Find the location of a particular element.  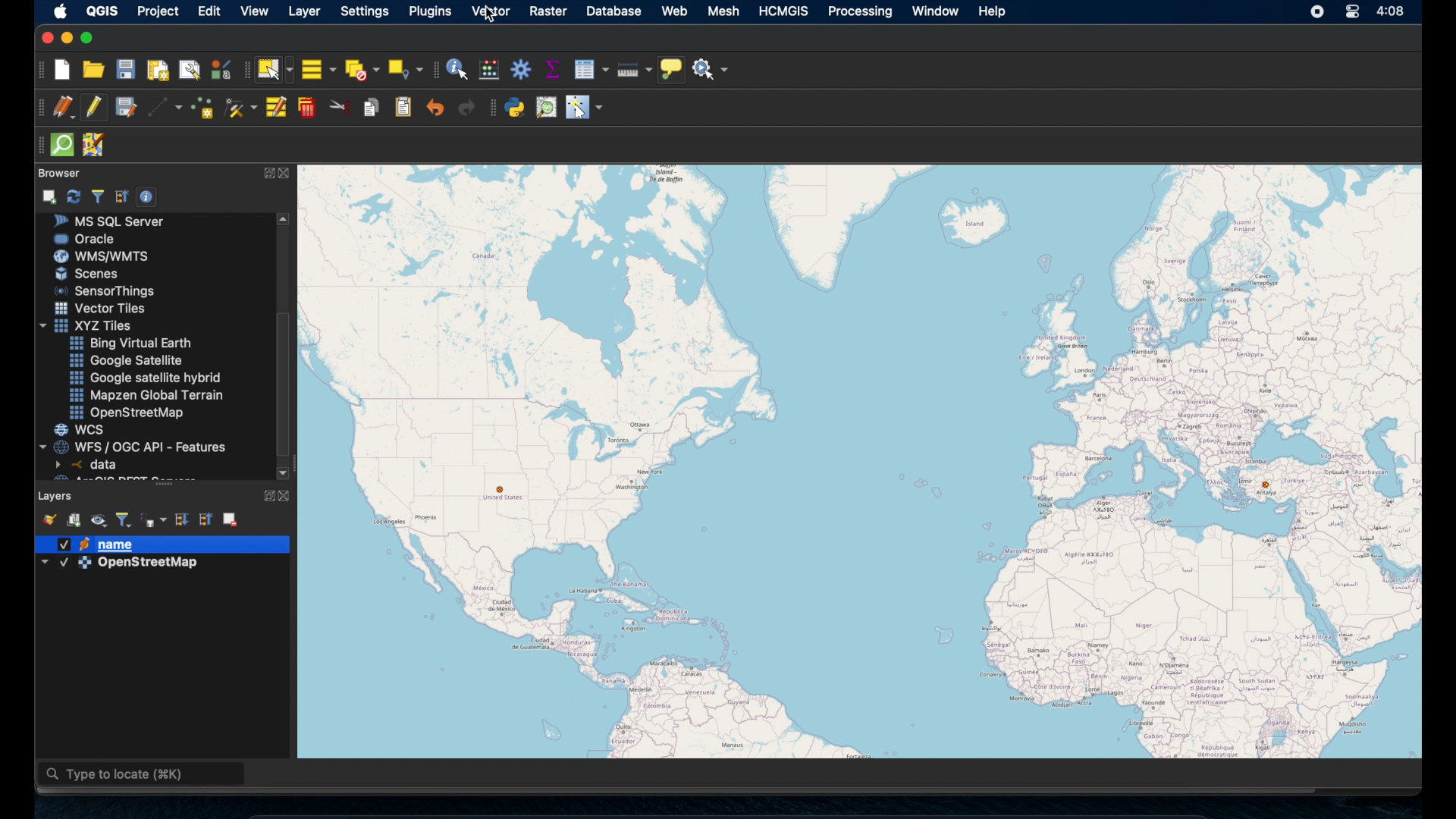

open print layout is located at coordinates (158, 72).